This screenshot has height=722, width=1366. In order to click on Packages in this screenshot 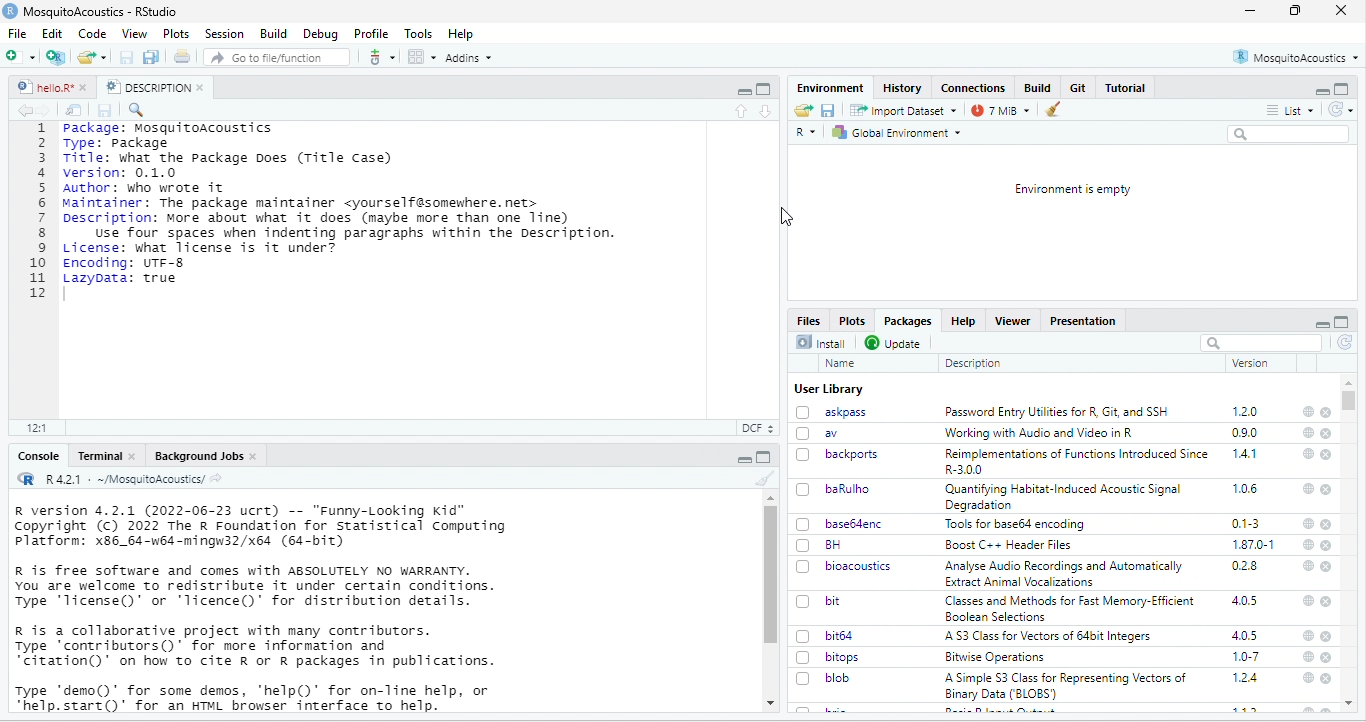, I will do `click(911, 322)`.